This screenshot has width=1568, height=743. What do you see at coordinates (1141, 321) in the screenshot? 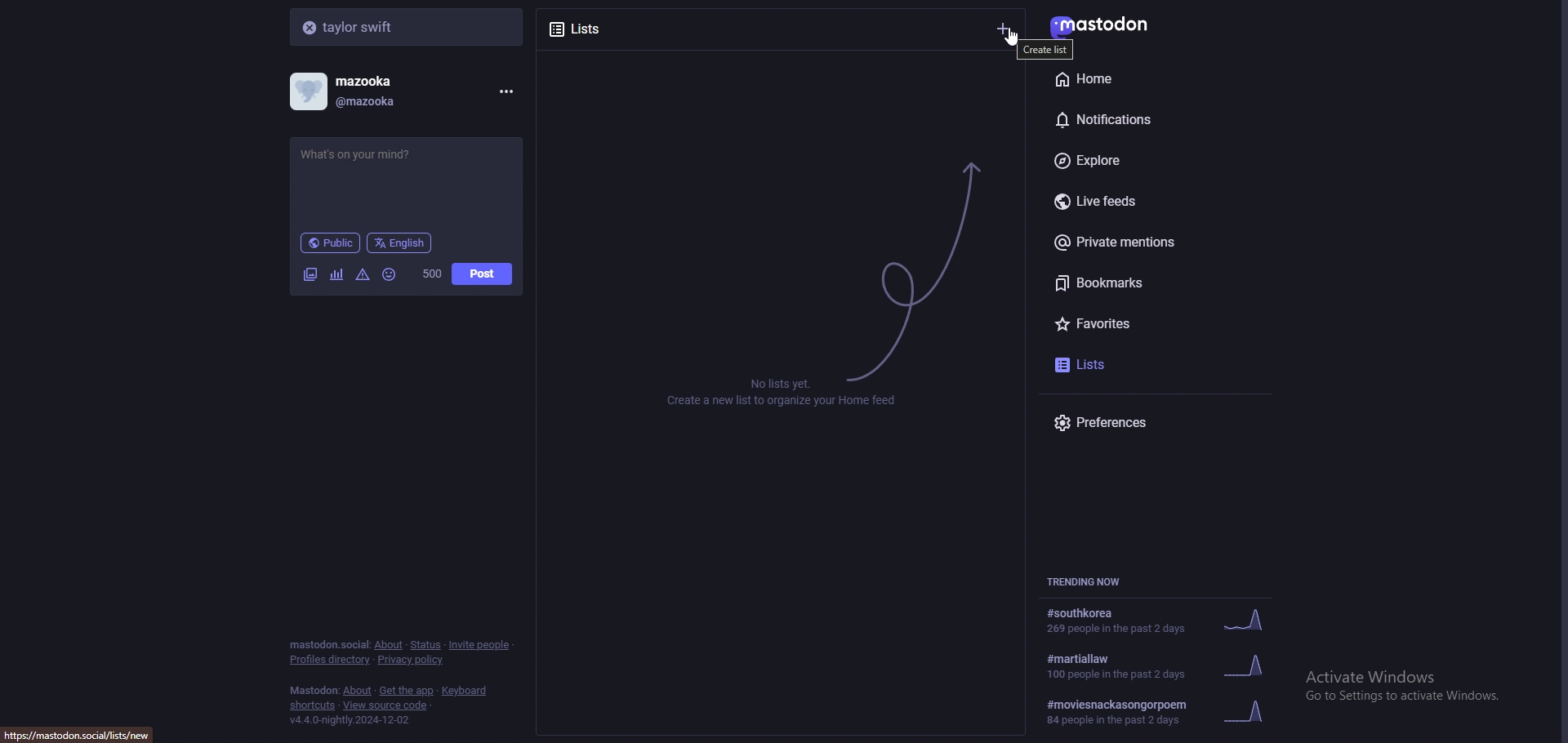
I see `favourites` at bounding box center [1141, 321].